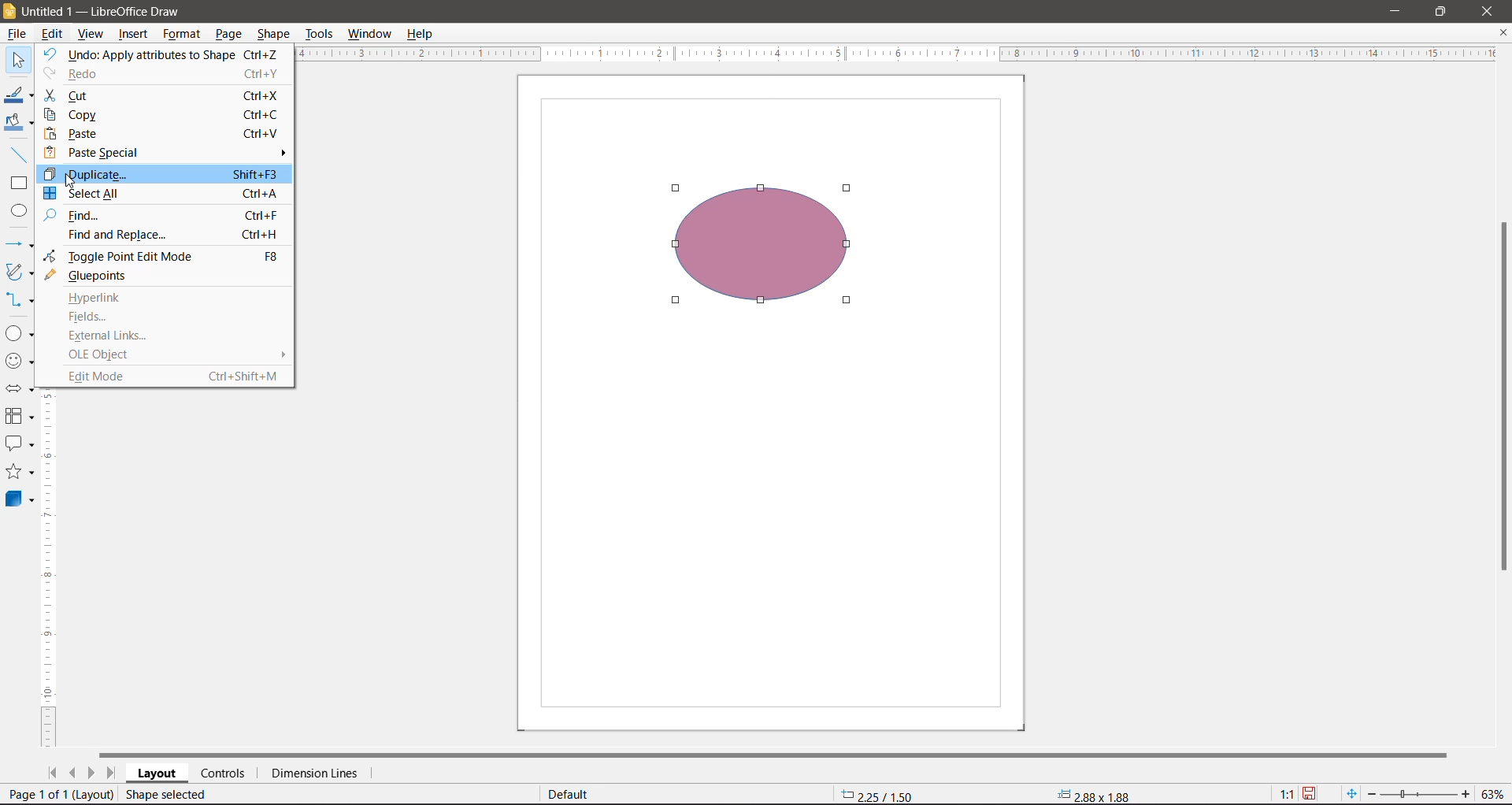 This screenshot has width=1512, height=805. What do you see at coordinates (1097, 796) in the screenshot?
I see `Object size` at bounding box center [1097, 796].